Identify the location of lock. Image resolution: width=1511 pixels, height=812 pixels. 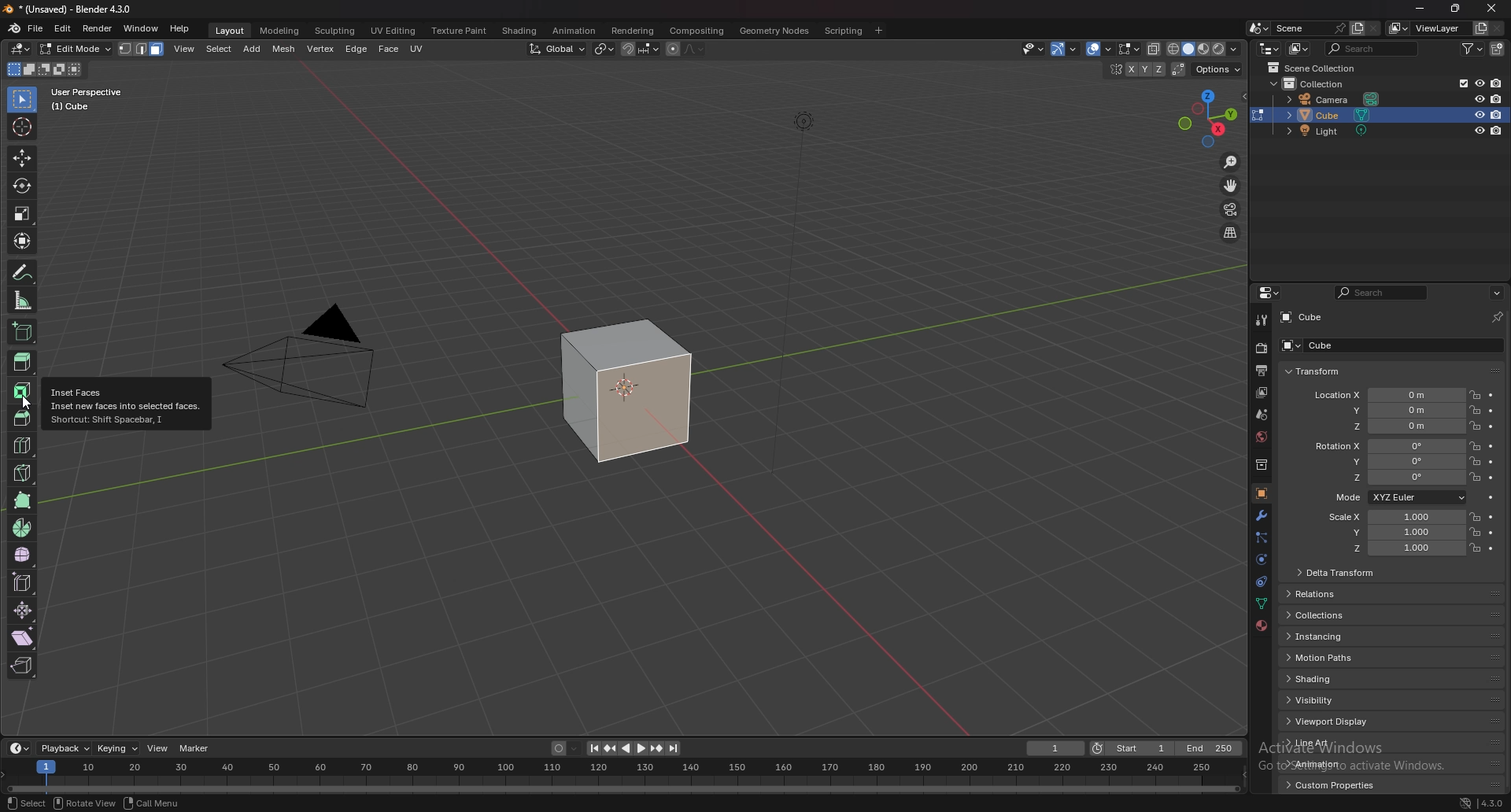
(1475, 548).